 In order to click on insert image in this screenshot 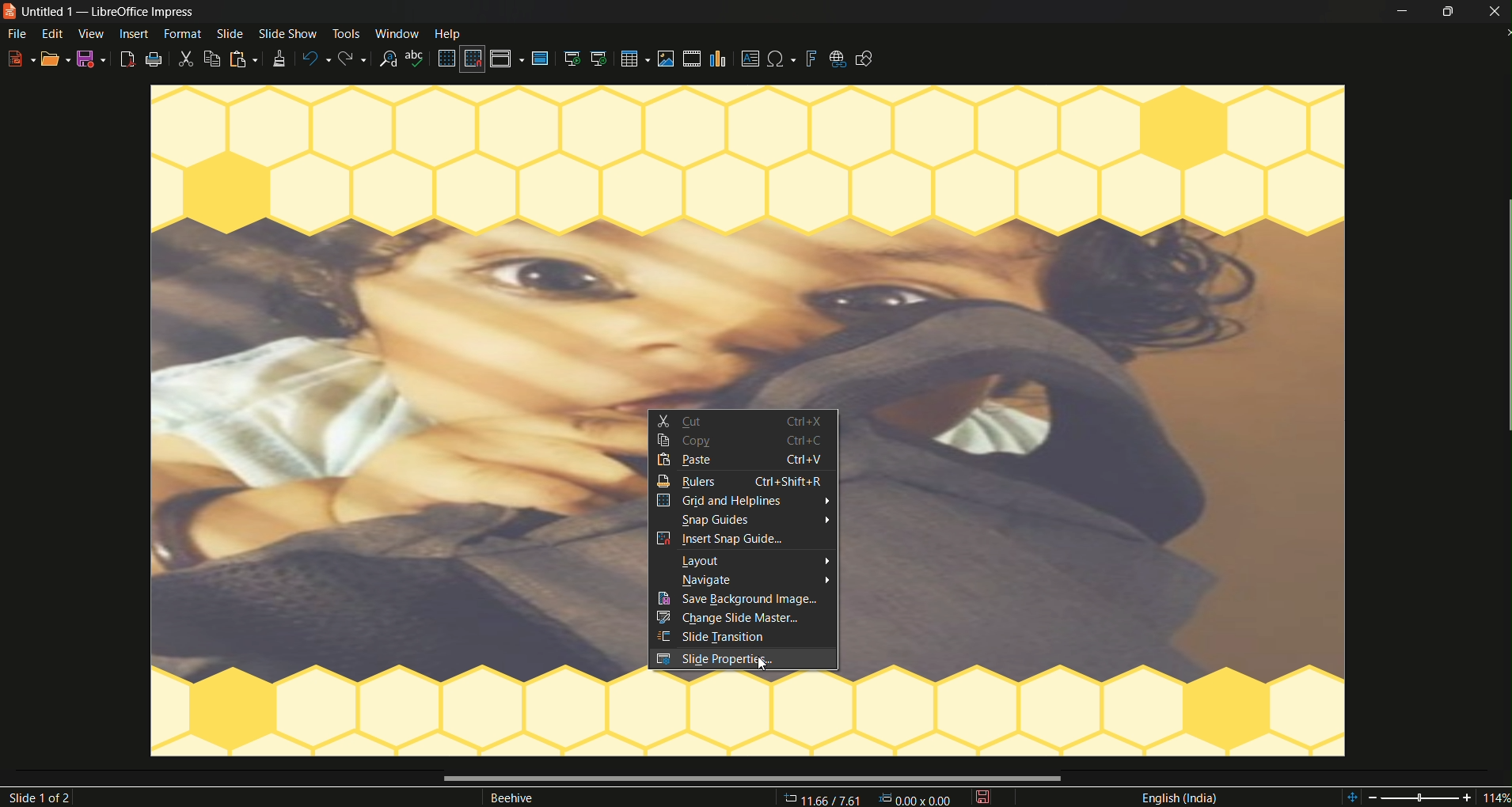, I will do `click(666, 60)`.